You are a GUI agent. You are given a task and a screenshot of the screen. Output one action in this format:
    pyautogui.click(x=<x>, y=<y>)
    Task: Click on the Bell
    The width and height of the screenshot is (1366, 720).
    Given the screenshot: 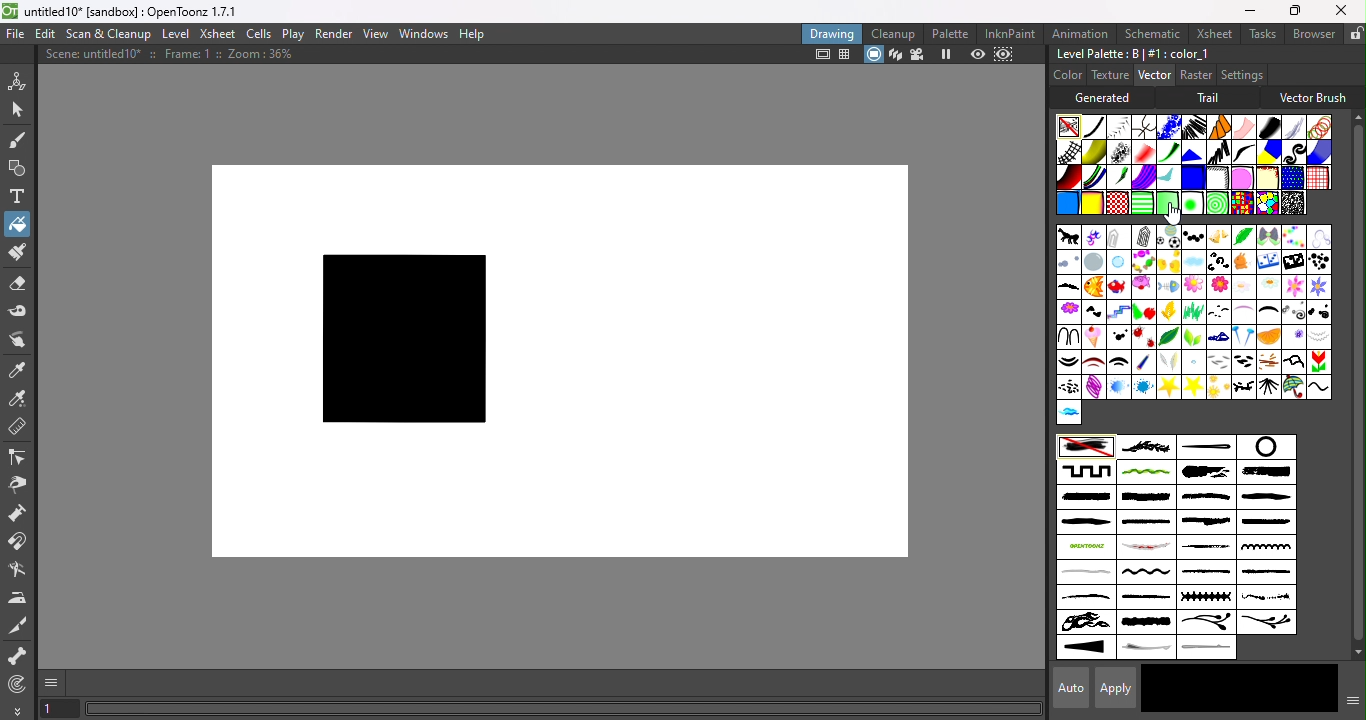 What is the action you would take?
    pyautogui.click(x=1217, y=237)
    